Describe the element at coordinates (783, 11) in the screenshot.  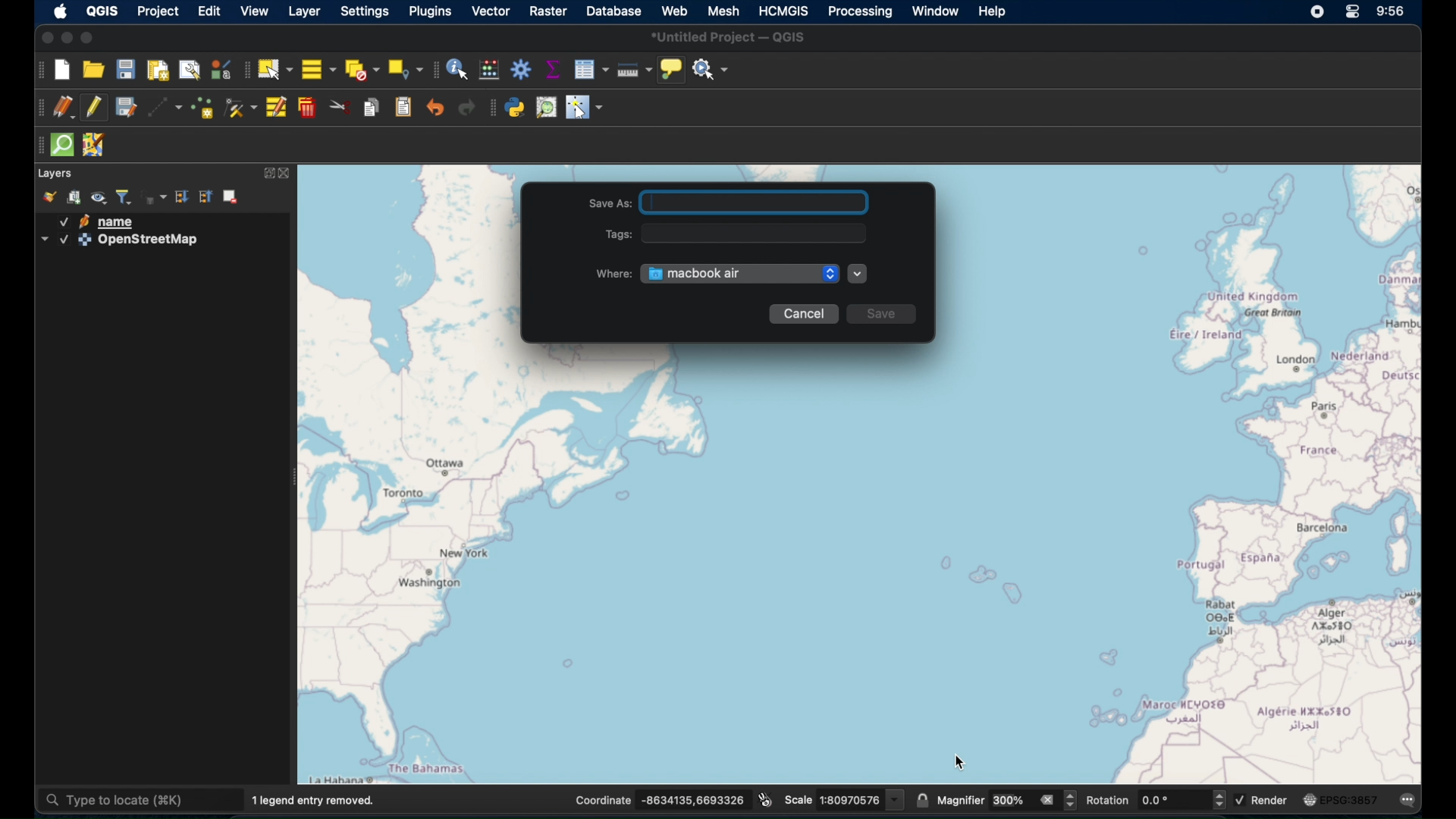
I see `HCMGIS` at that location.